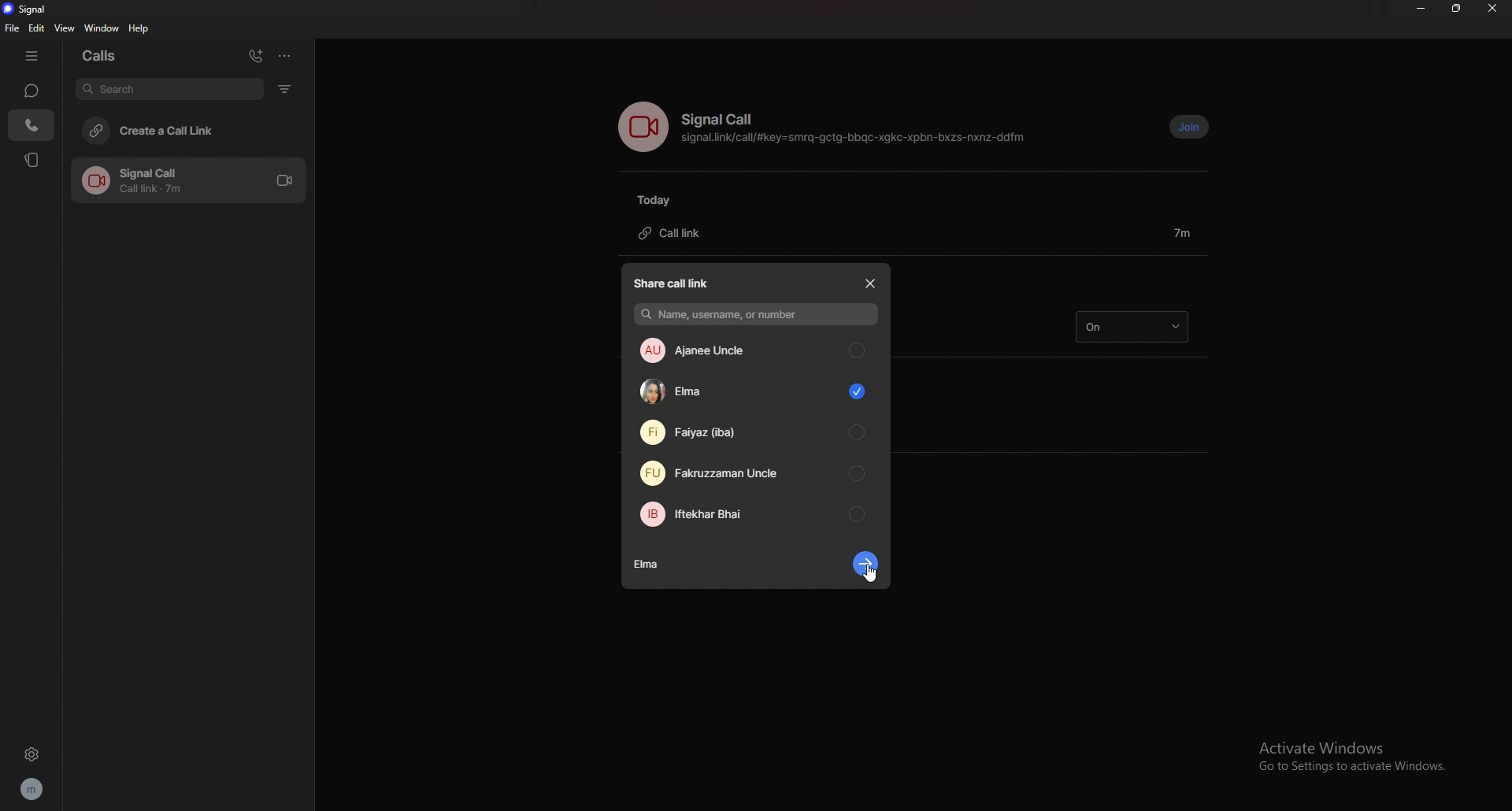 The image size is (1512, 811). Describe the element at coordinates (187, 180) in the screenshot. I see `call` at that location.